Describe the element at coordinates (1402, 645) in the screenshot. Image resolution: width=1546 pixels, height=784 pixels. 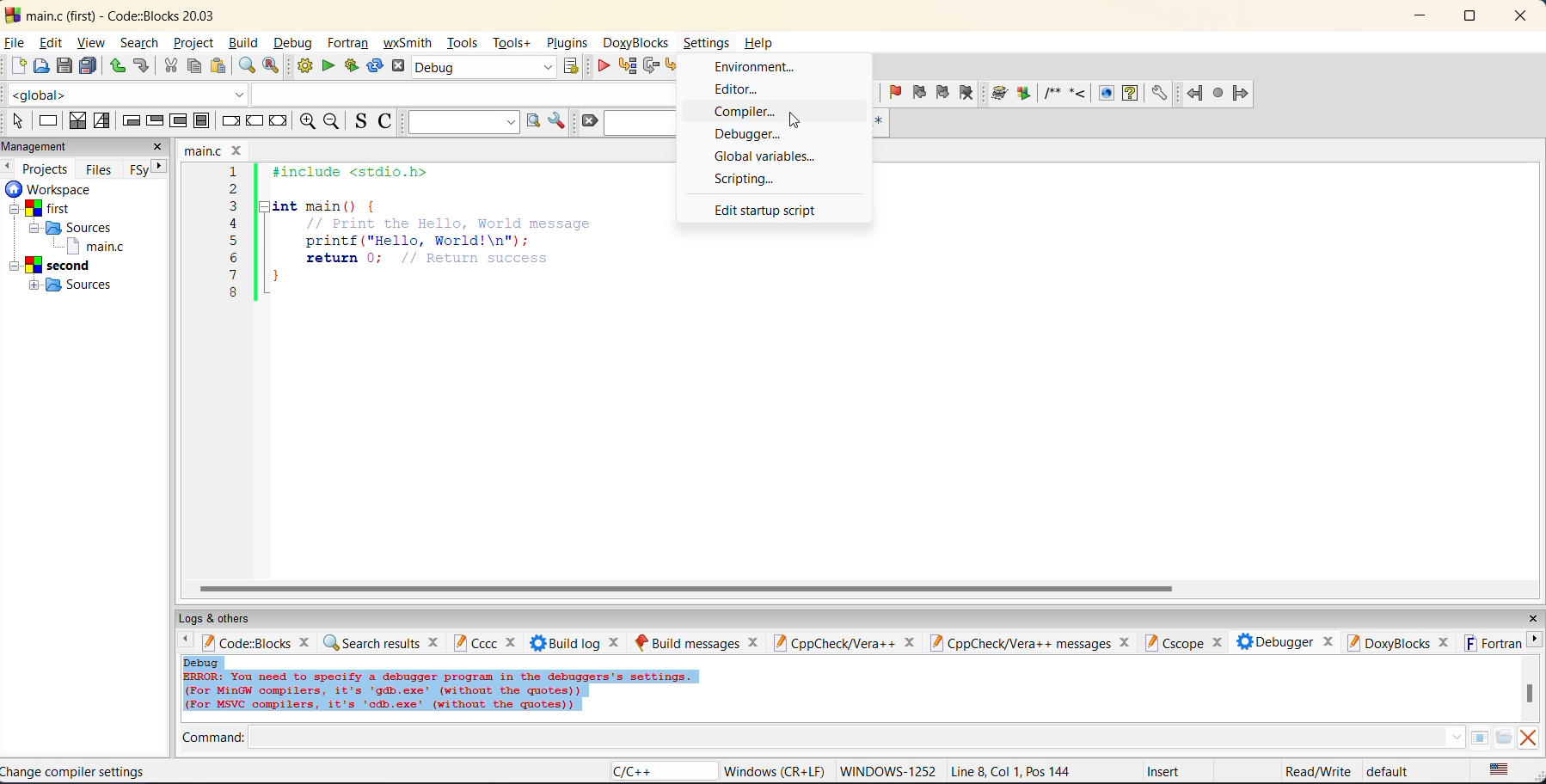
I see `doxyblocks` at that location.